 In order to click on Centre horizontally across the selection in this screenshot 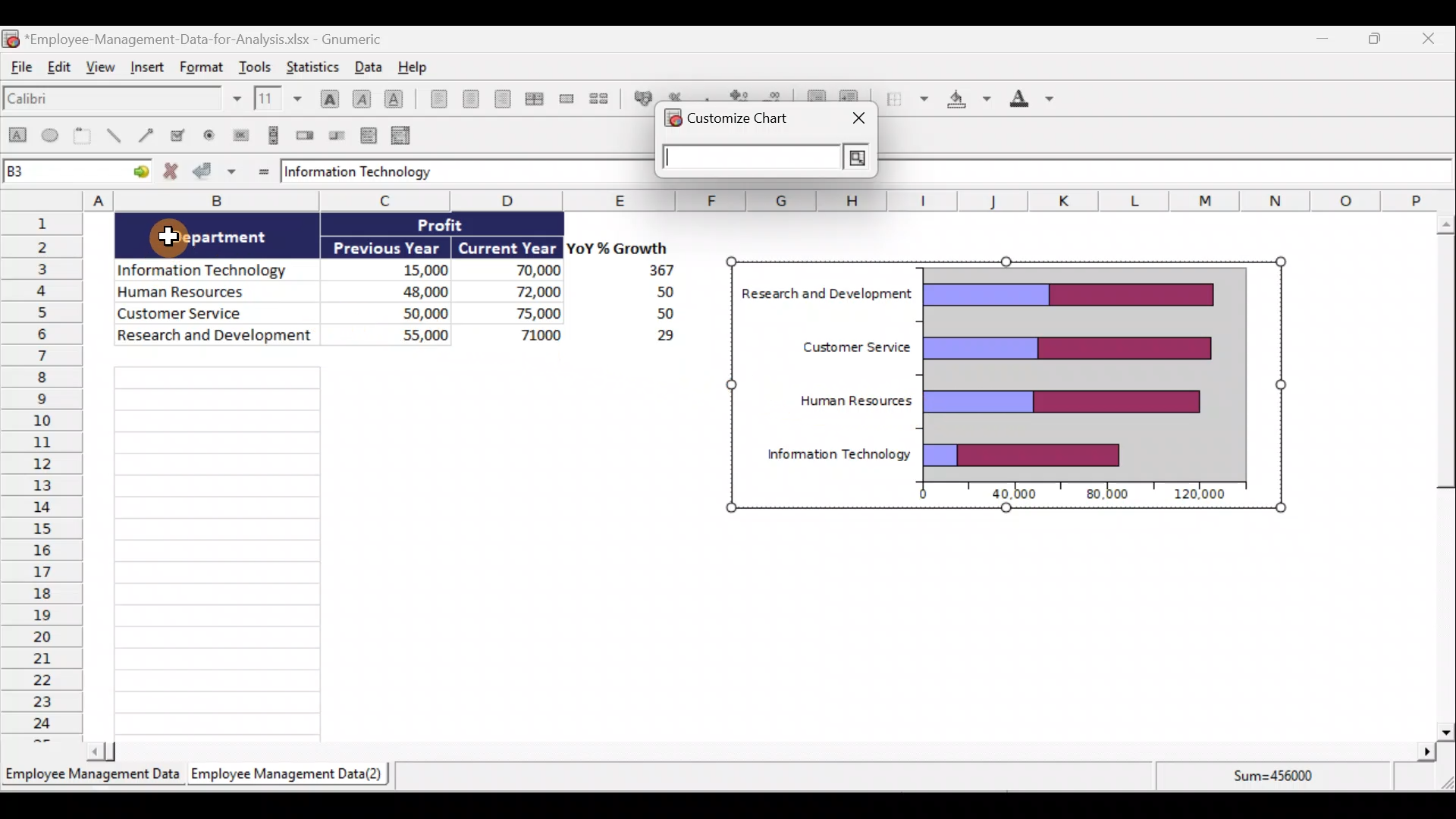, I will do `click(534, 96)`.